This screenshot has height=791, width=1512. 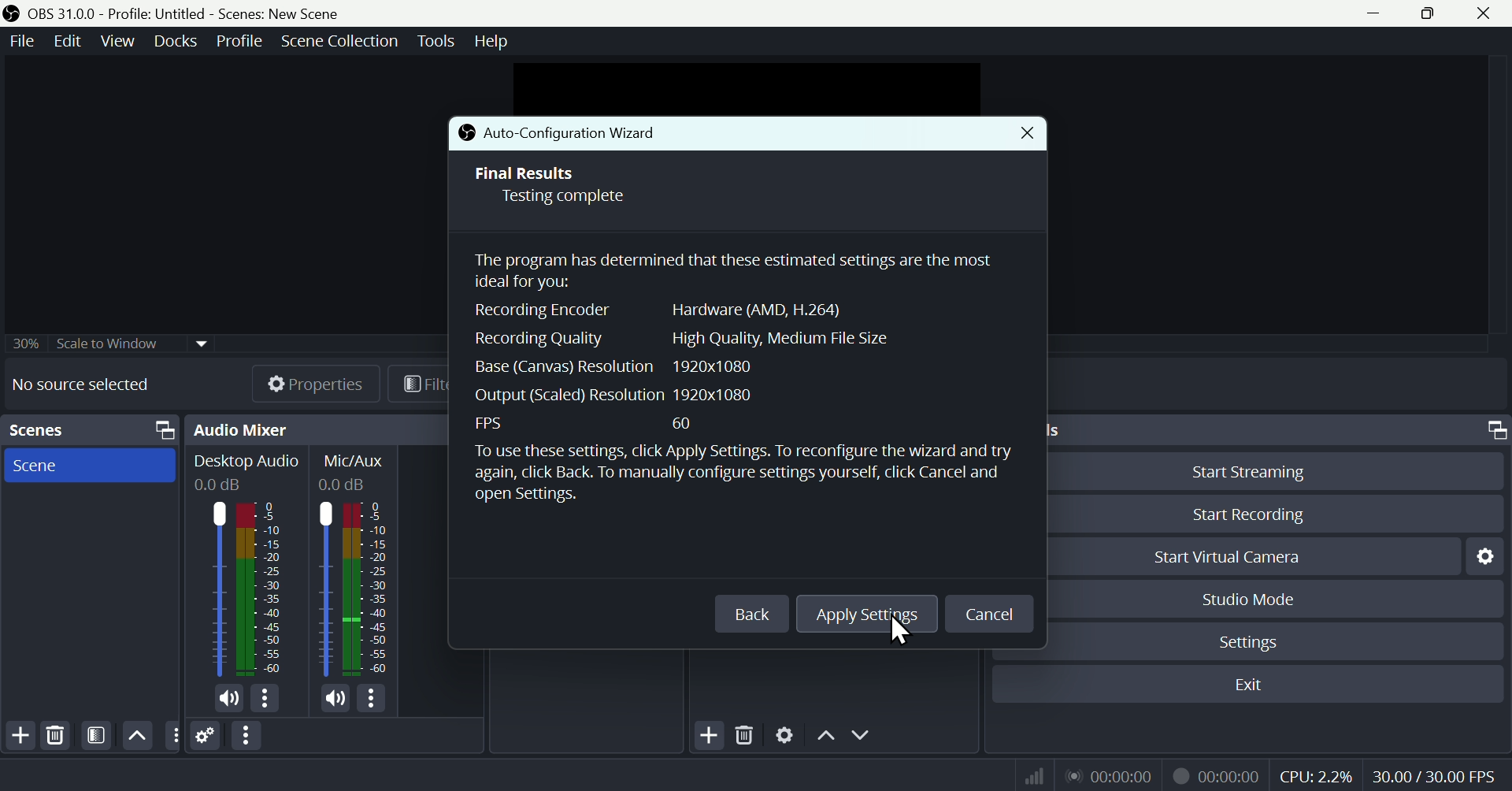 I want to click on Scenes, so click(x=36, y=429).